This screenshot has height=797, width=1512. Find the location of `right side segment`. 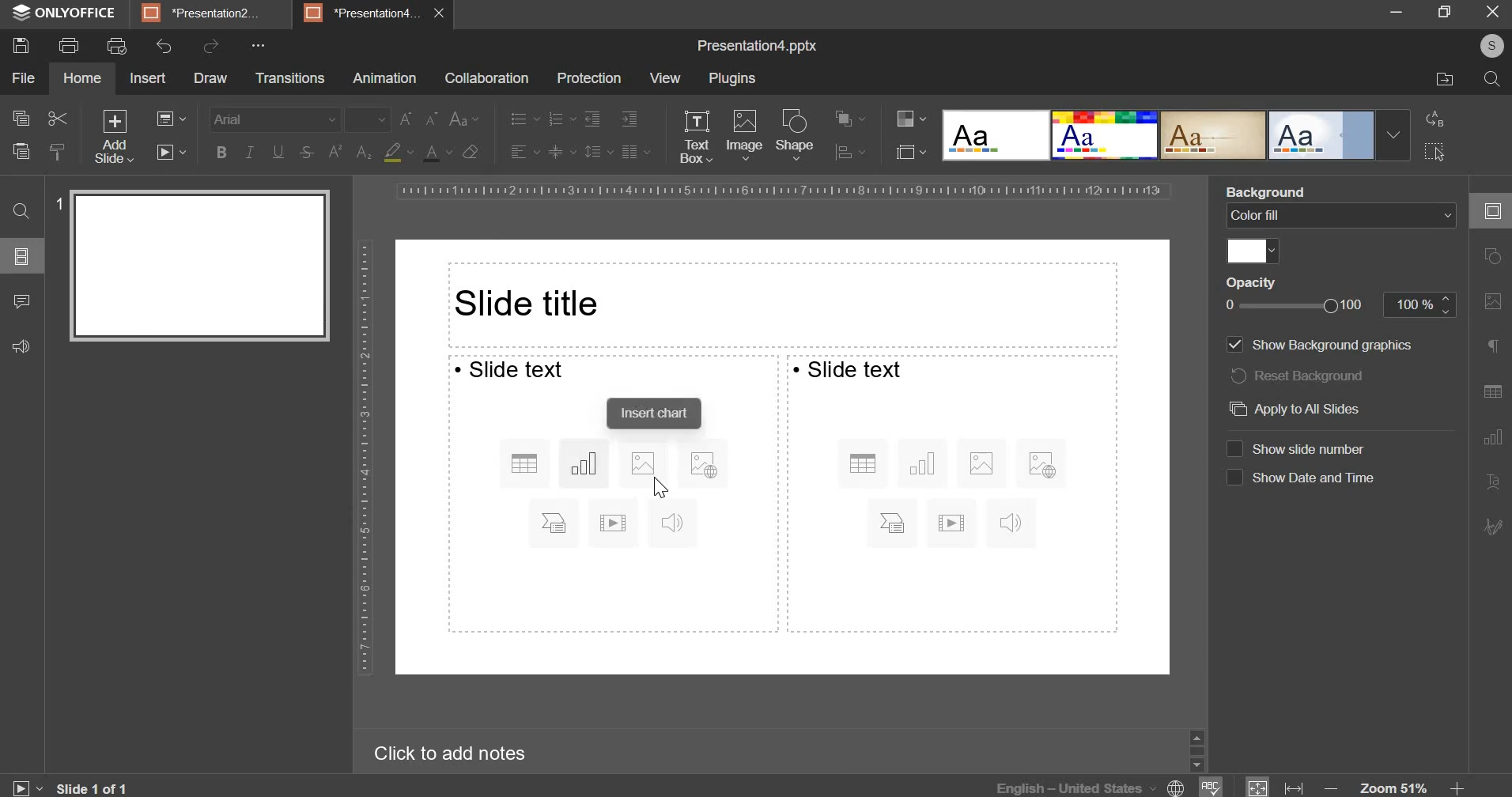

right side segment is located at coordinates (954, 493).